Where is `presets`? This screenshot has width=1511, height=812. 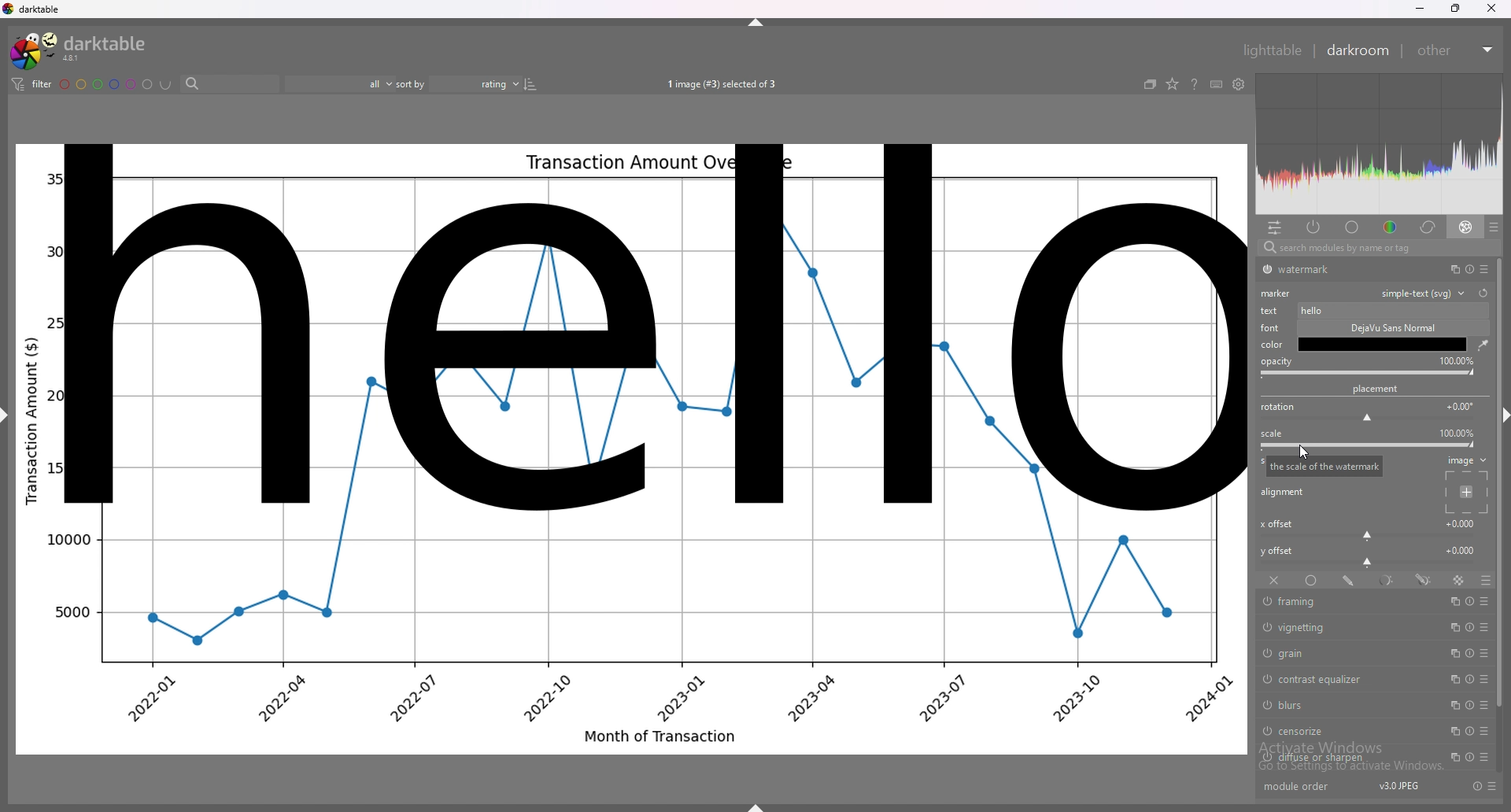
presets is located at coordinates (1486, 628).